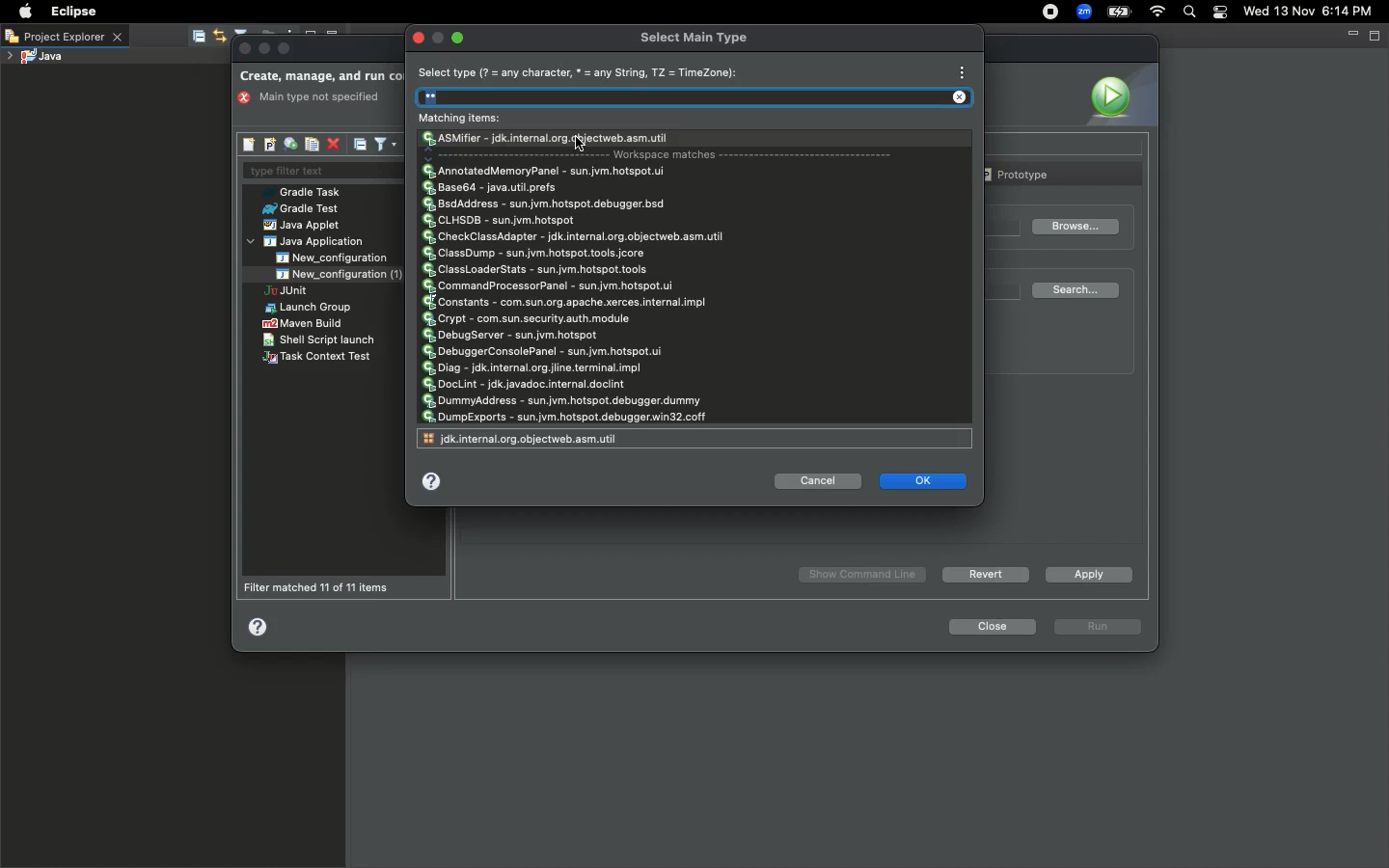  What do you see at coordinates (265, 49) in the screenshot?
I see `minimize` at bounding box center [265, 49].